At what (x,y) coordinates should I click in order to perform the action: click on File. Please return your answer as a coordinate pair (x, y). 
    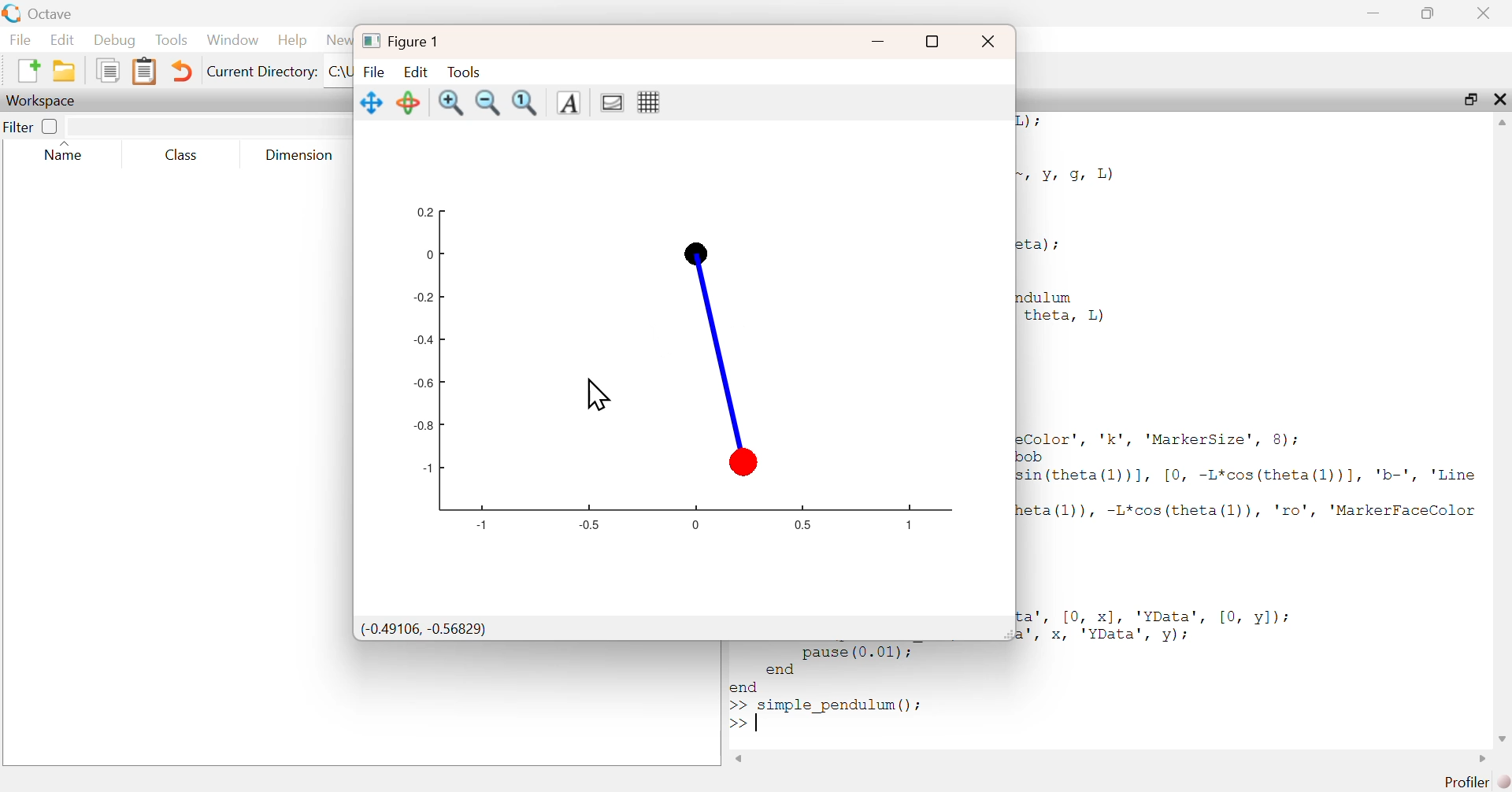
    Looking at the image, I should click on (378, 72).